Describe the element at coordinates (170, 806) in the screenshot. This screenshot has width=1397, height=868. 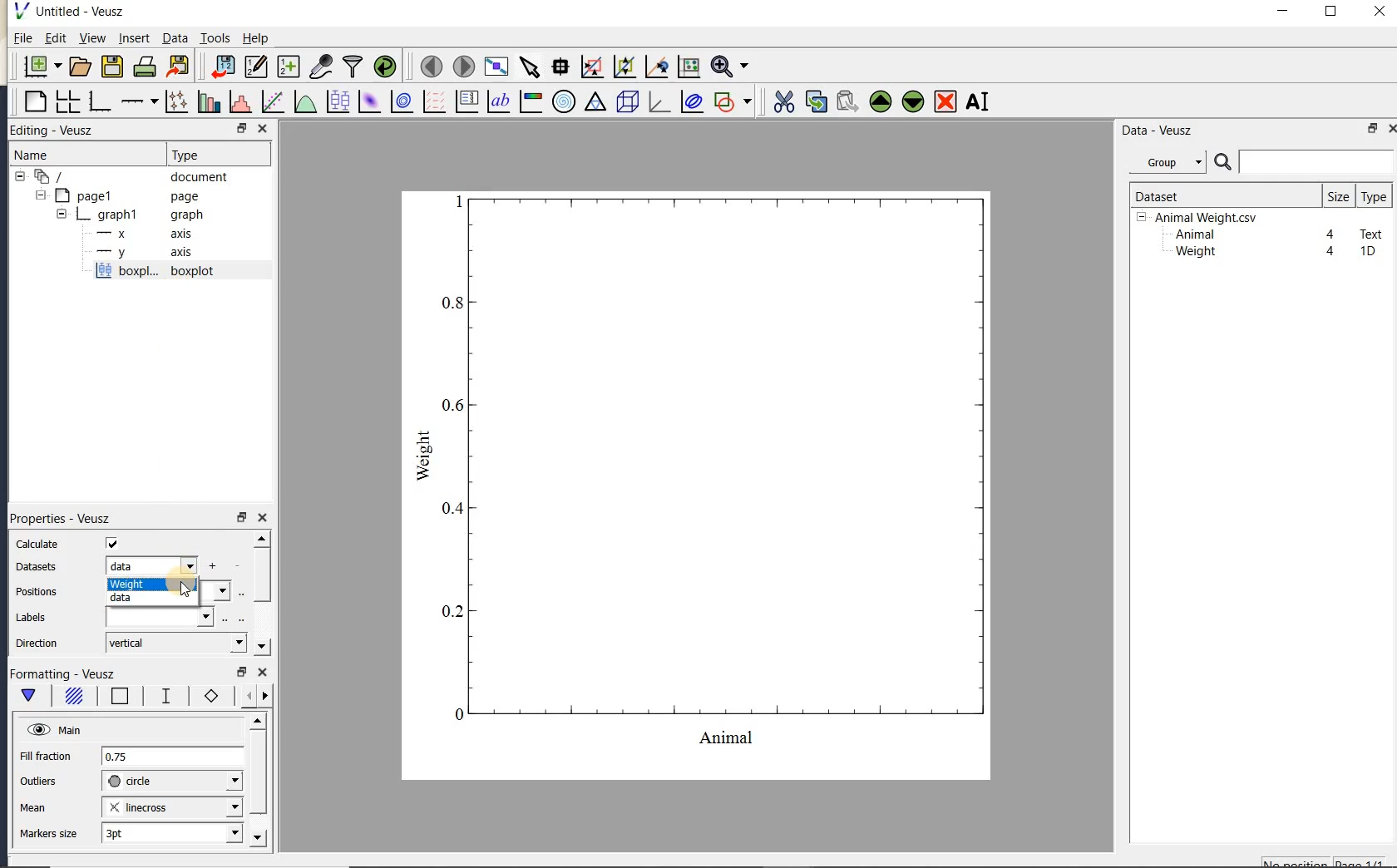
I see `linecross` at that location.